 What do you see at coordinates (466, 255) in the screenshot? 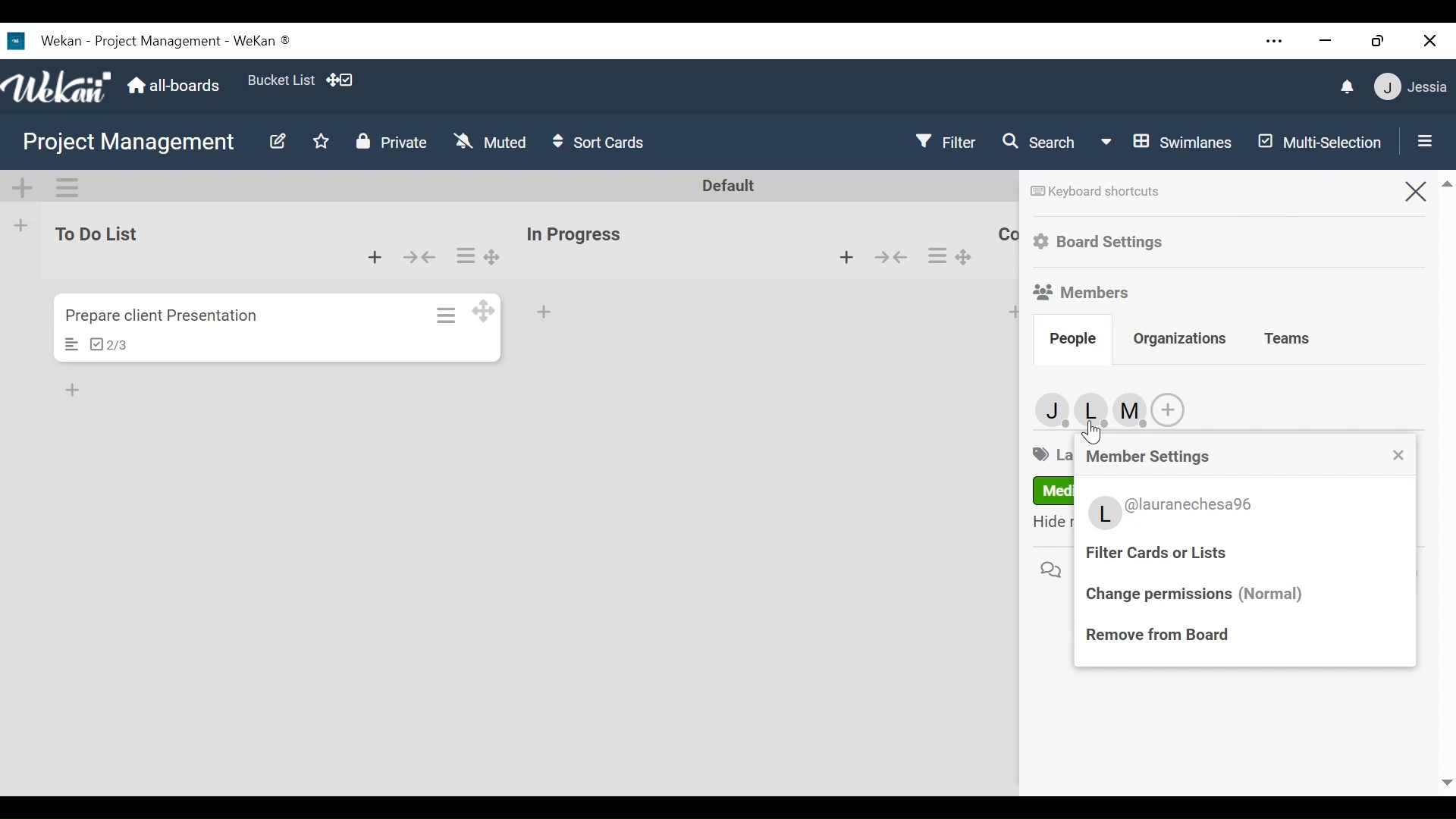
I see `List actions` at bounding box center [466, 255].